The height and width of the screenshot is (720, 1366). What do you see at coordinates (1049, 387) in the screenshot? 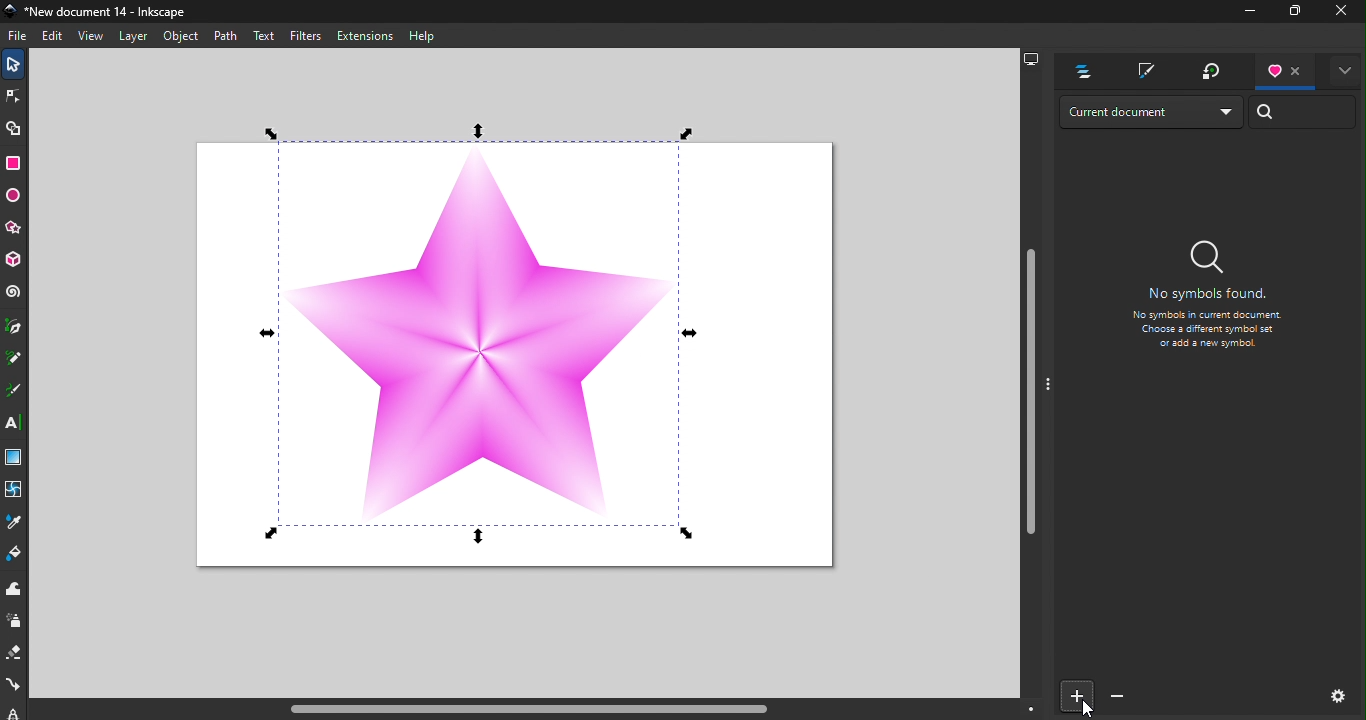
I see `toggle command panel` at bounding box center [1049, 387].